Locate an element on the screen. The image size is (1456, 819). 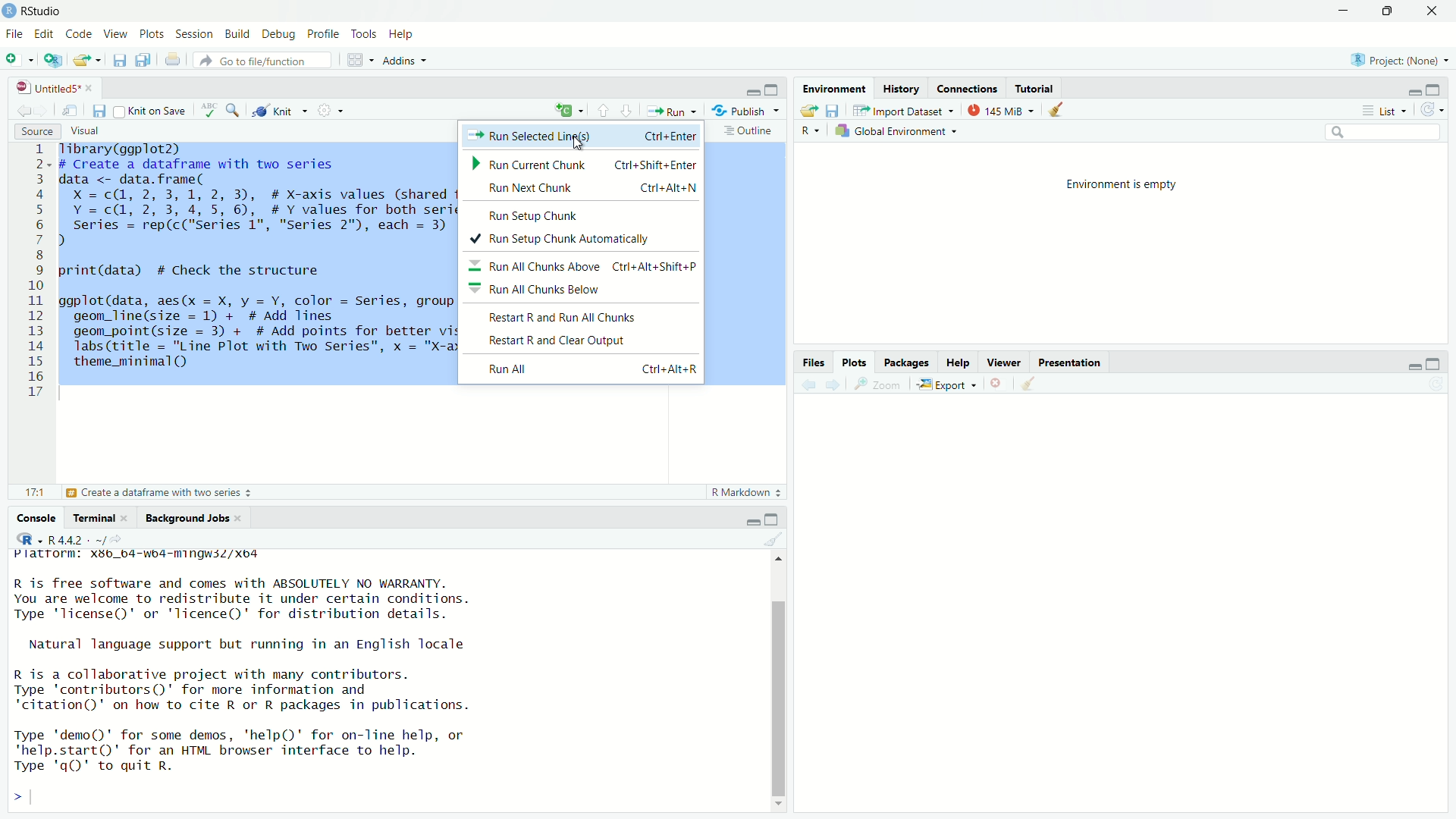
Maximize is located at coordinates (772, 519).